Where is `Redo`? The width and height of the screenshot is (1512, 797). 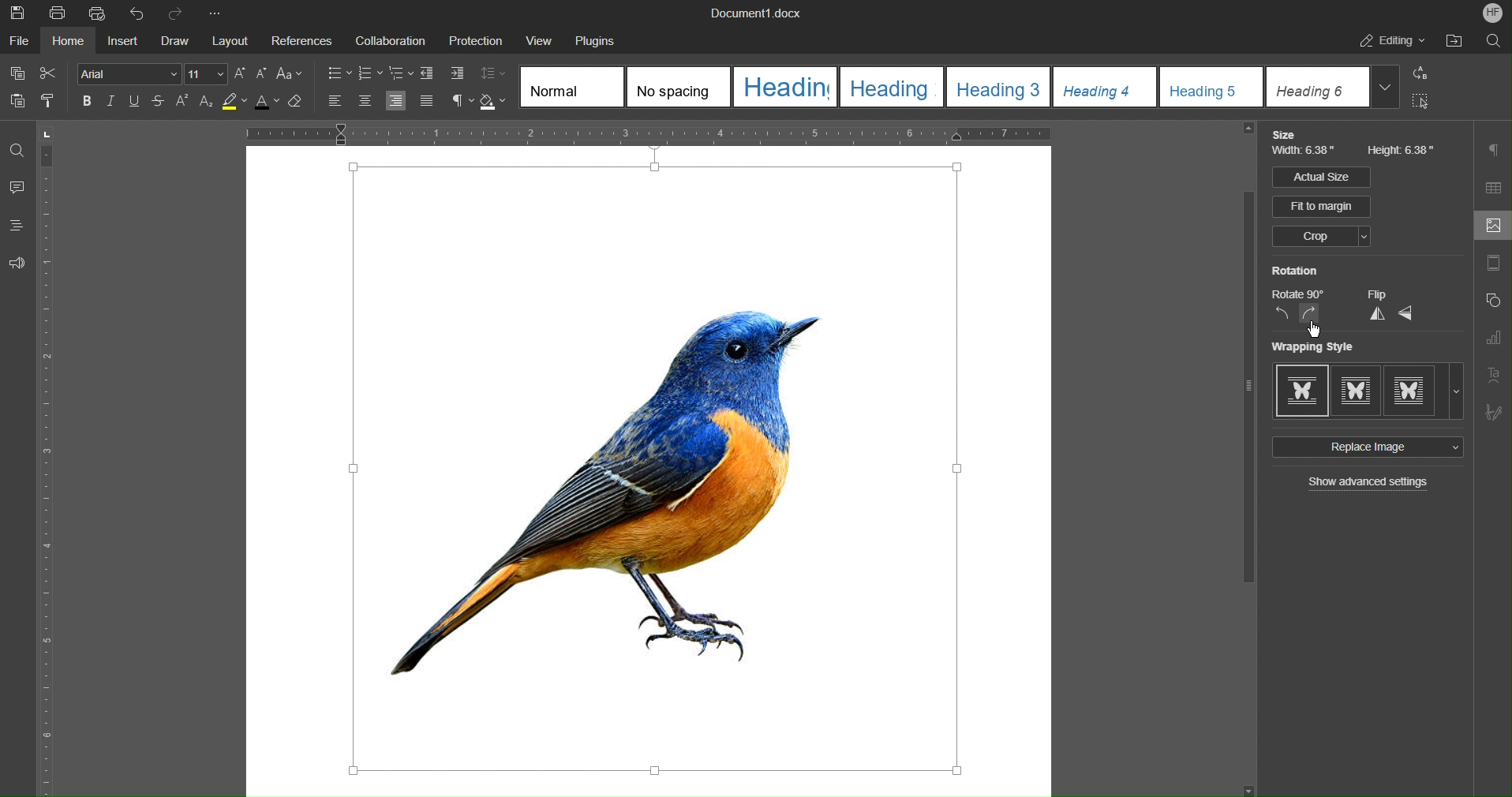
Redo is located at coordinates (177, 13).